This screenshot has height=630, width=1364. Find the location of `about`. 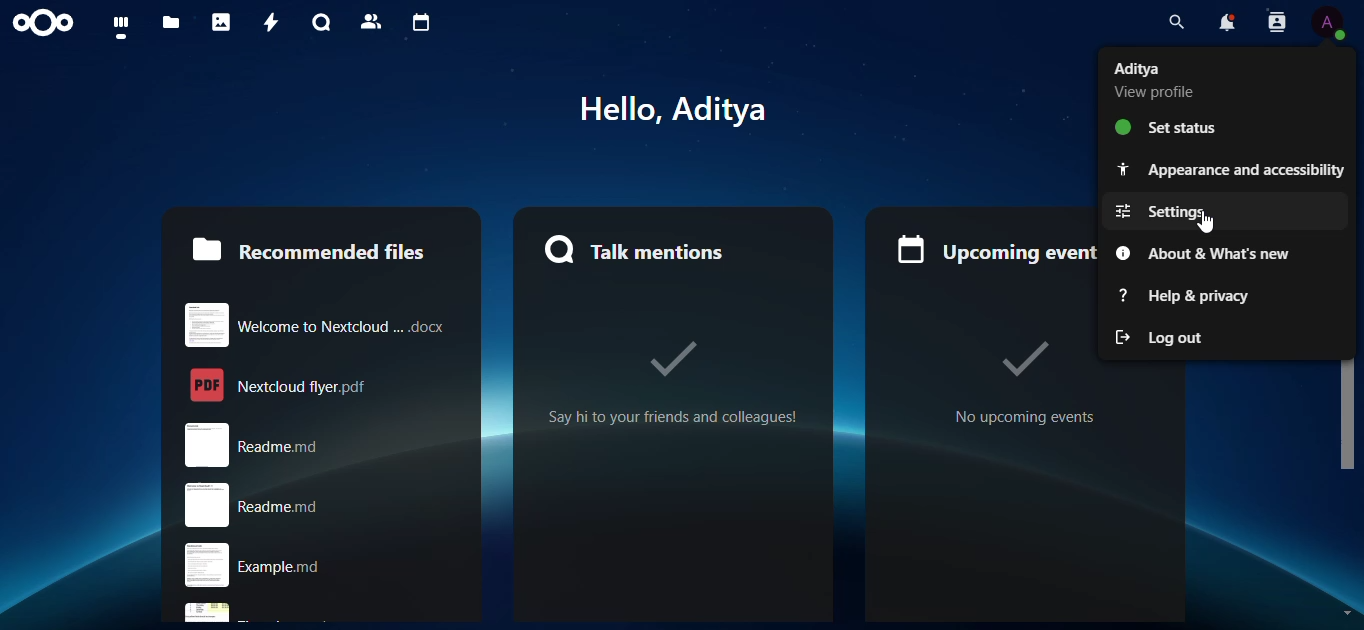

about is located at coordinates (1214, 253).